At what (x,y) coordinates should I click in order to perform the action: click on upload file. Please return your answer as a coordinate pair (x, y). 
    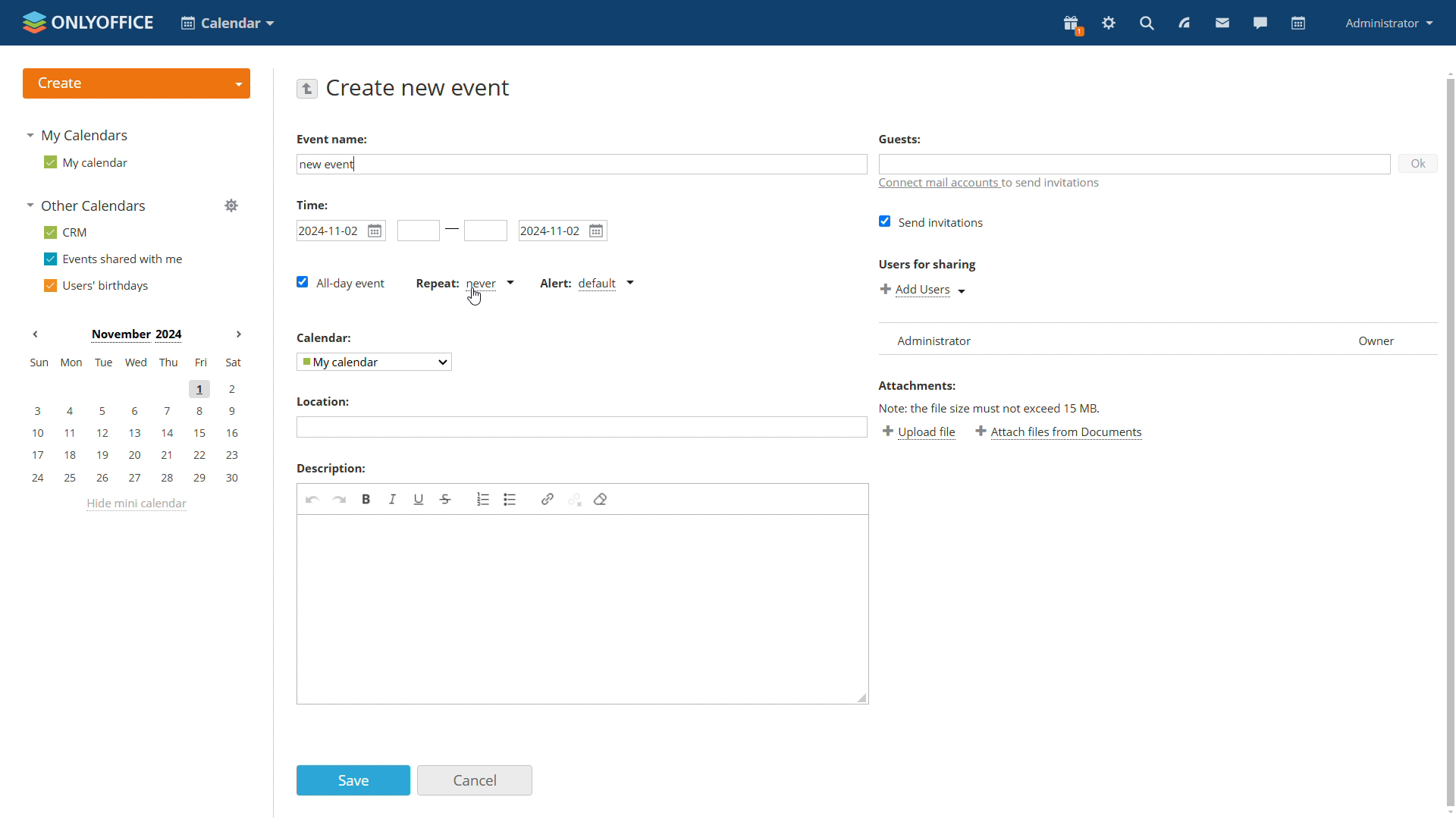
    Looking at the image, I should click on (921, 434).